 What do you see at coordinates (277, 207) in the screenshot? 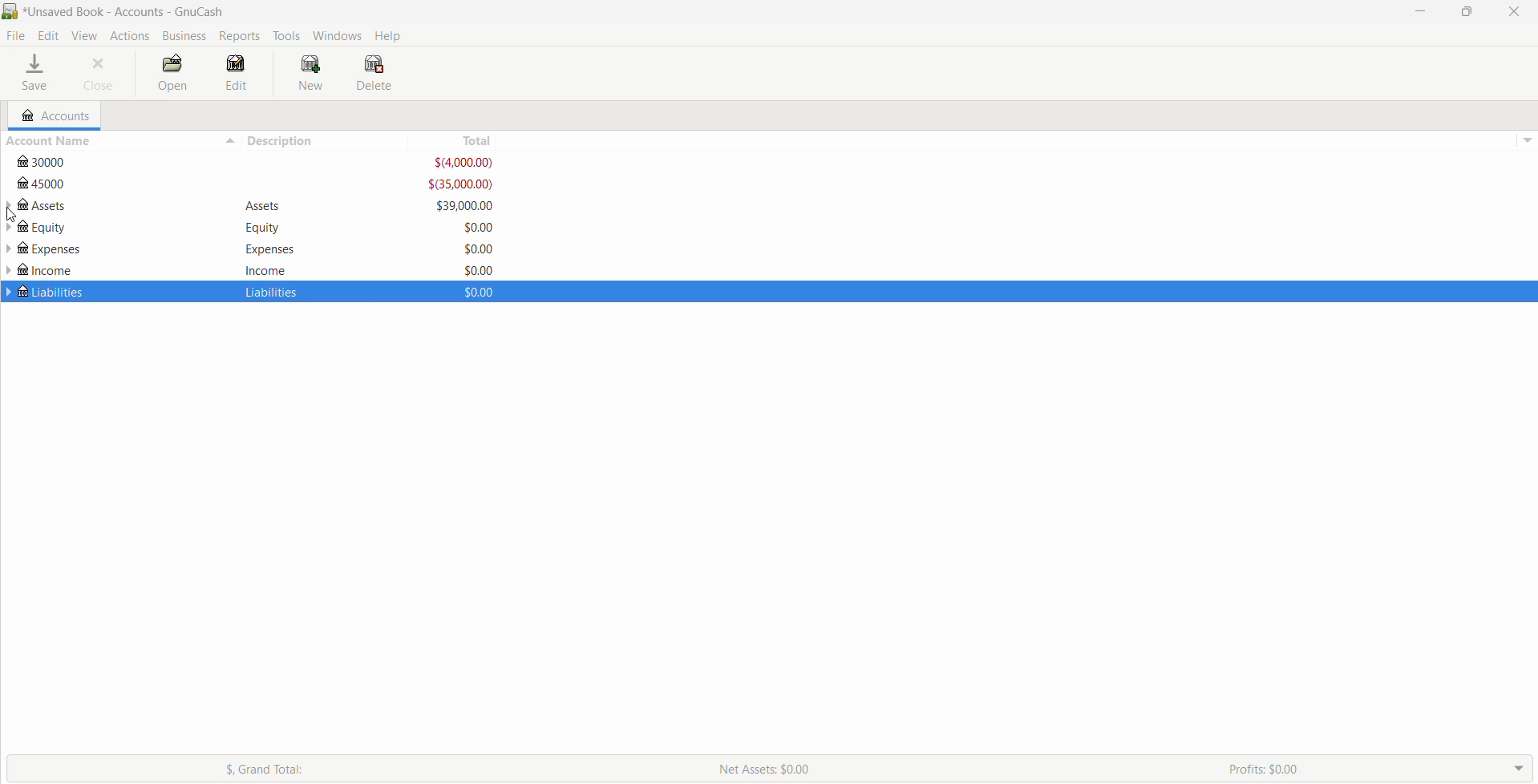
I see `Assets` at bounding box center [277, 207].